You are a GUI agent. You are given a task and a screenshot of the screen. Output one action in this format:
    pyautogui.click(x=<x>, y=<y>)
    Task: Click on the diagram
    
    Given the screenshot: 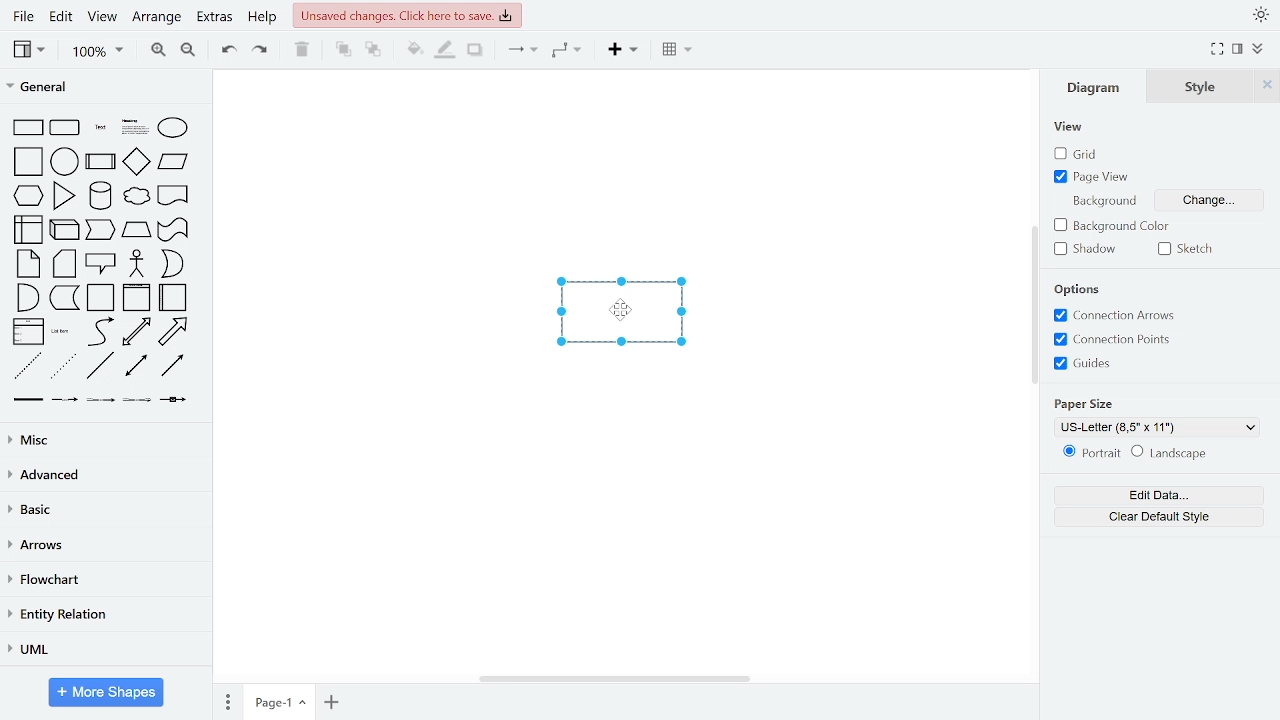 What is the action you would take?
    pyautogui.click(x=1098, y=88)
    